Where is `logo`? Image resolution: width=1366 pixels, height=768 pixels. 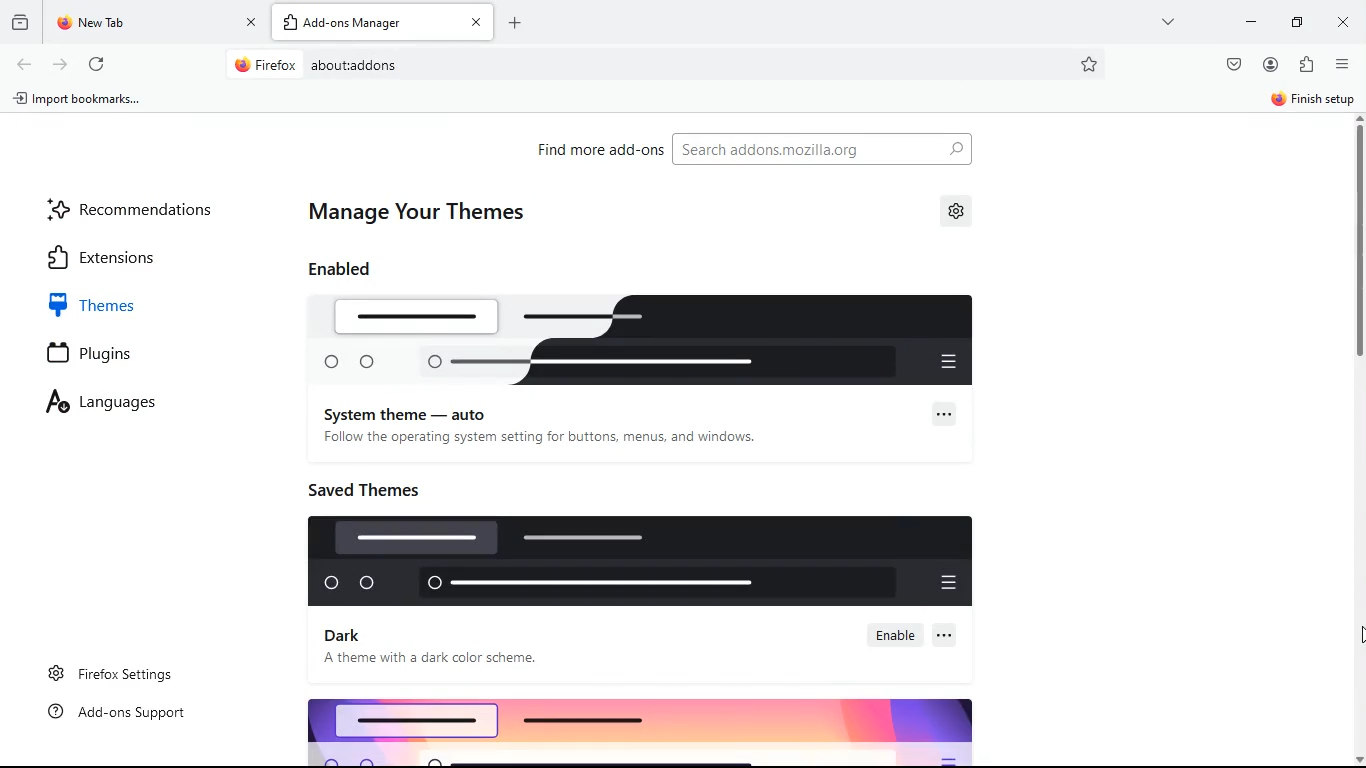
logo is located at coordinates (655, 343).